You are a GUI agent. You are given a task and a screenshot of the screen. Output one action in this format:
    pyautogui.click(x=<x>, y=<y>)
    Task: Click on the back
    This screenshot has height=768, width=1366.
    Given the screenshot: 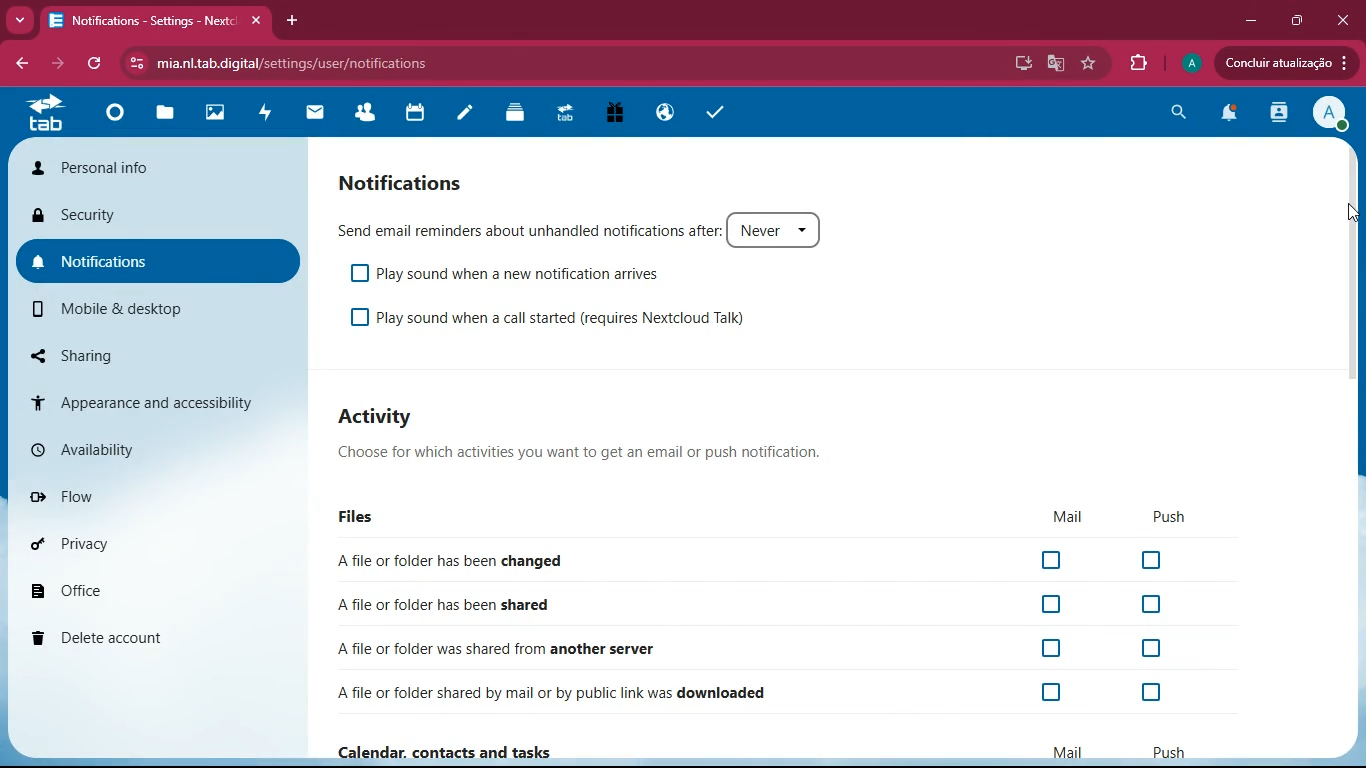 What is the action you would take?
    pyautogui.click(x=57, y=66)
    